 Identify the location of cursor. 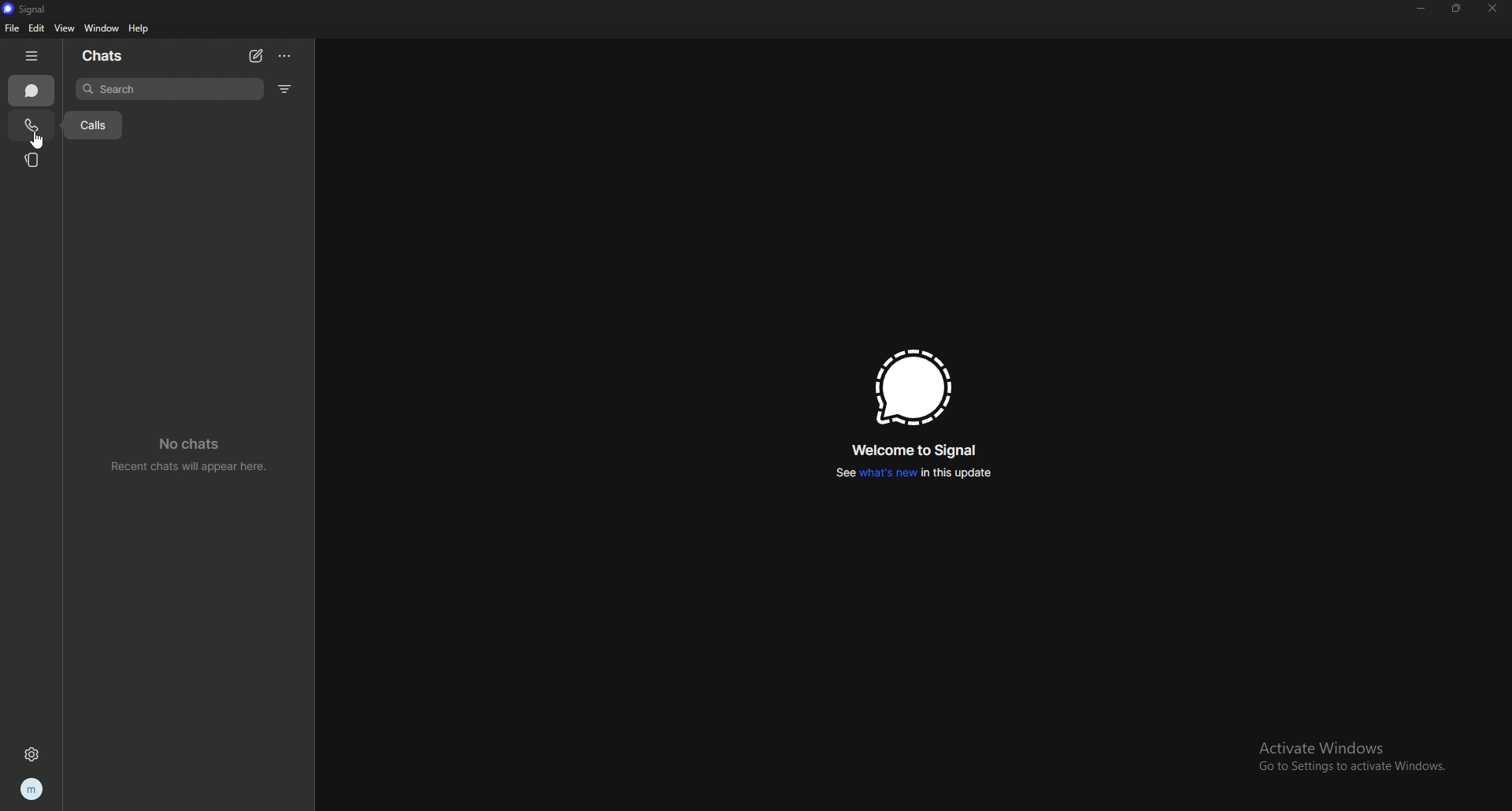
(36, 138).